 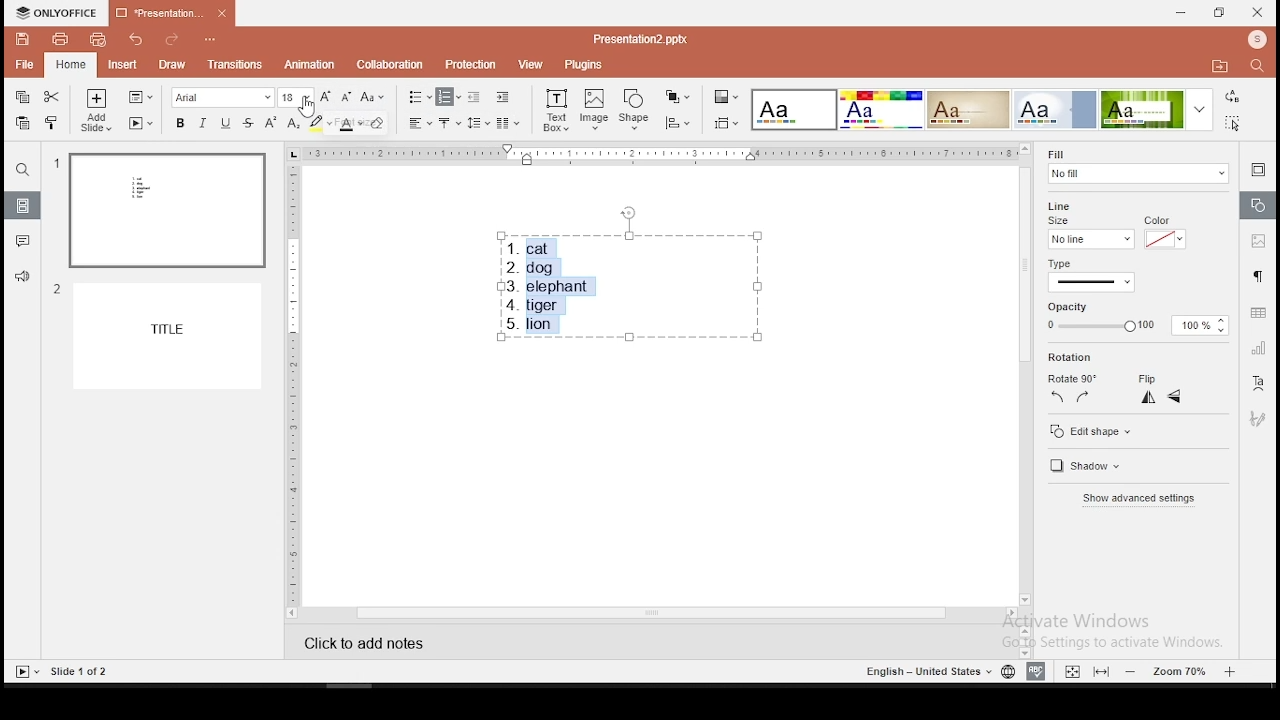 I want to click on , so click(x=1257, y=416).